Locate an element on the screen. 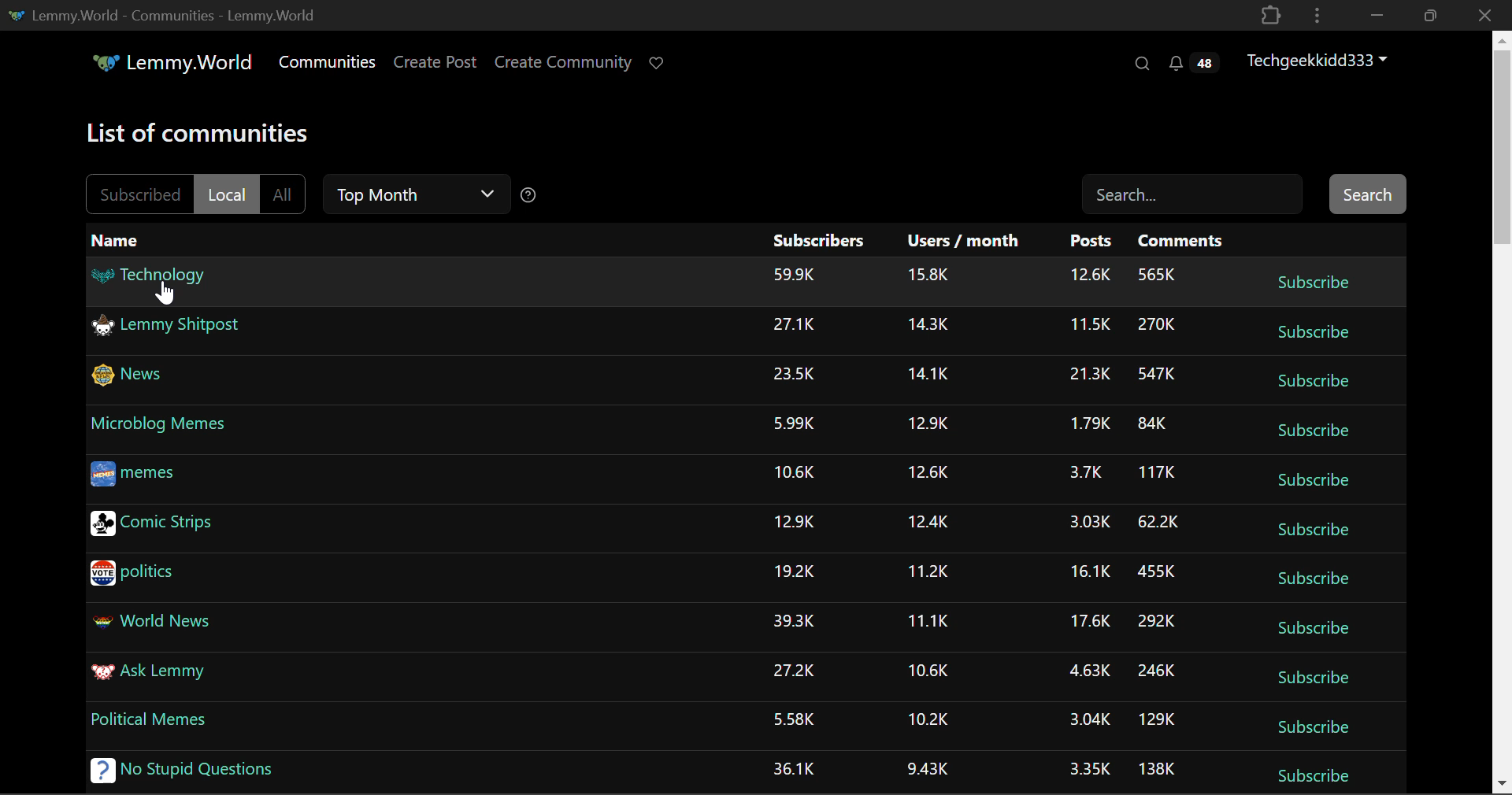 The height and width of the screenshot is (795, 1512). Amount  is located at coordinates (932, 771).